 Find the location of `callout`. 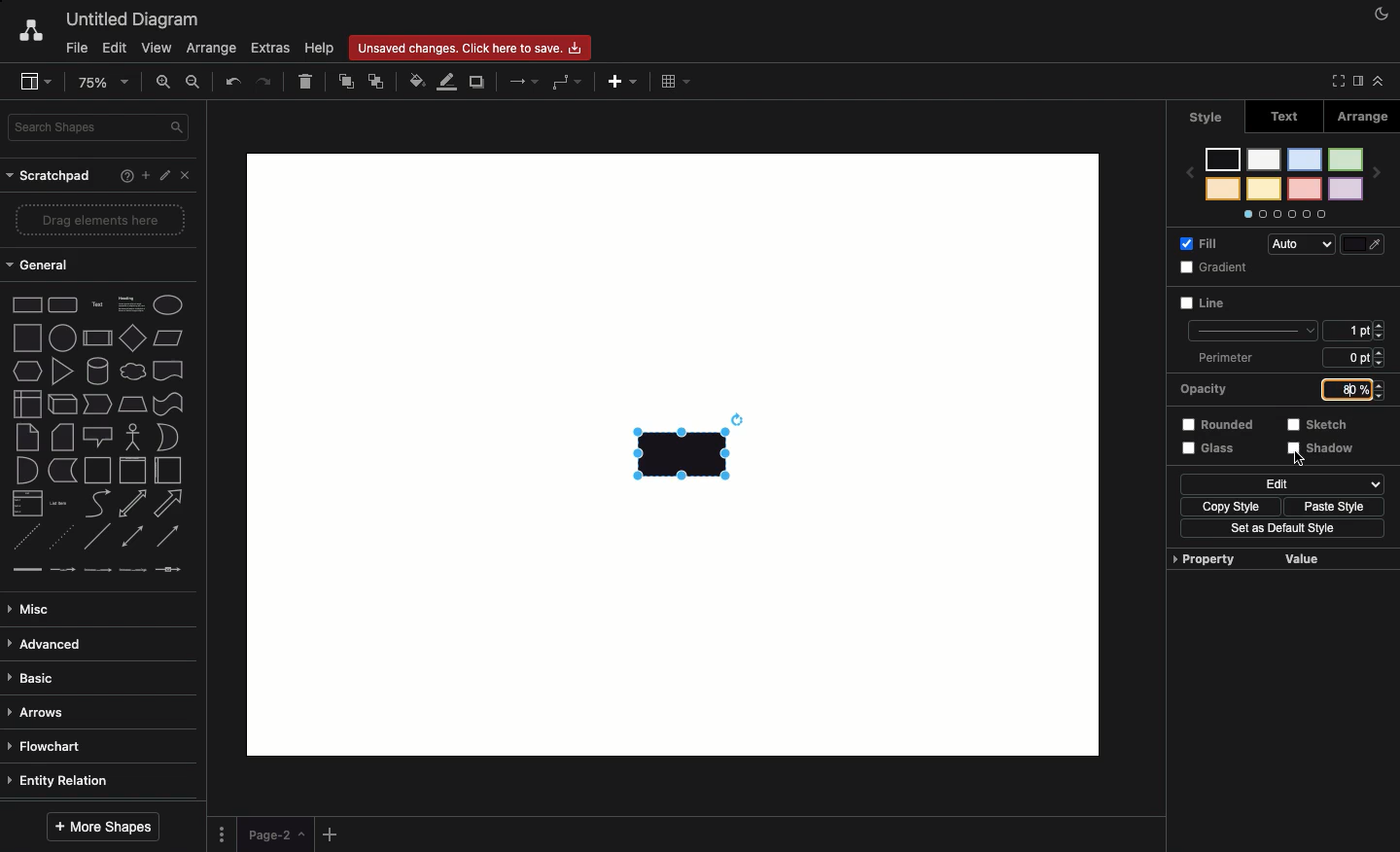

callout is located at coordinates (99, 436).